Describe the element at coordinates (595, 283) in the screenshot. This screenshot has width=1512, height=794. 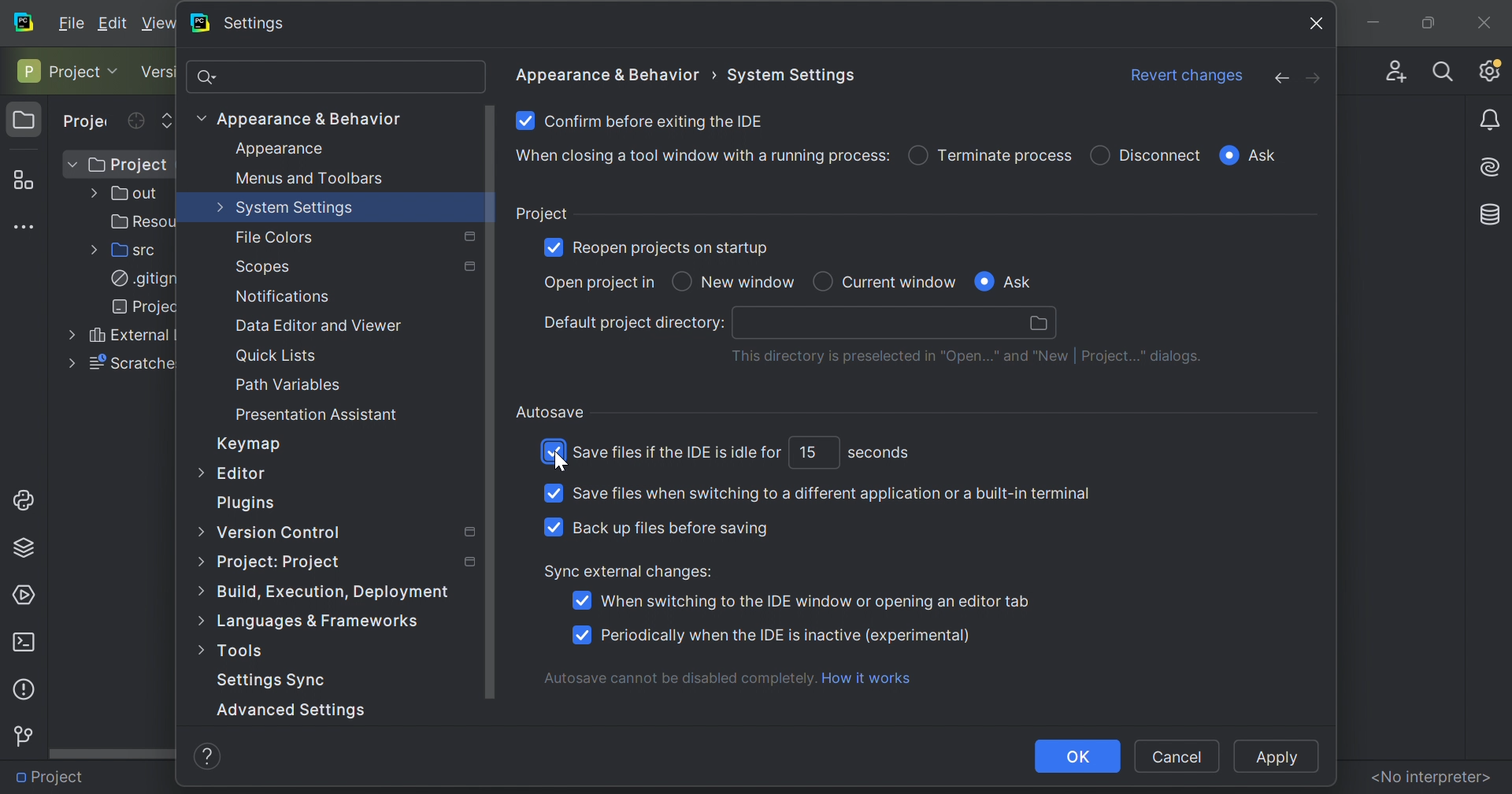
I see `Open project in` at that location.